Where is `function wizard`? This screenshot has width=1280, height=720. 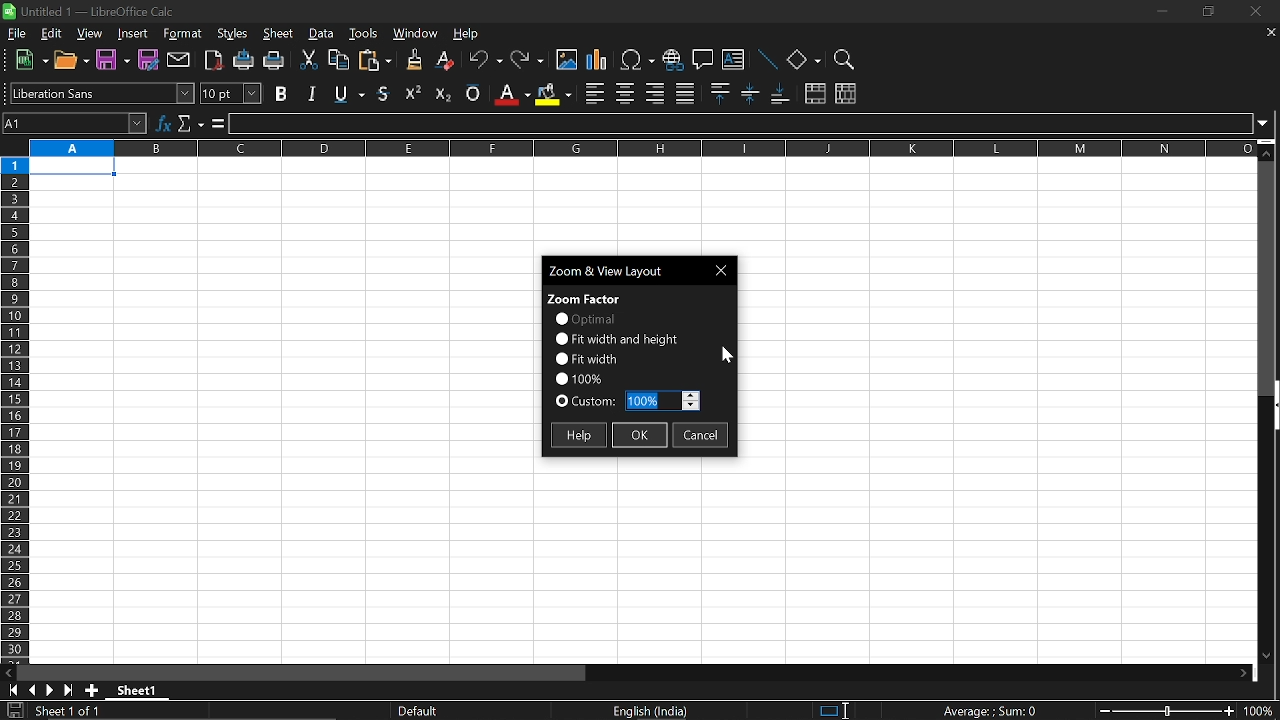
function wizard is located at coordinates (165, 121).